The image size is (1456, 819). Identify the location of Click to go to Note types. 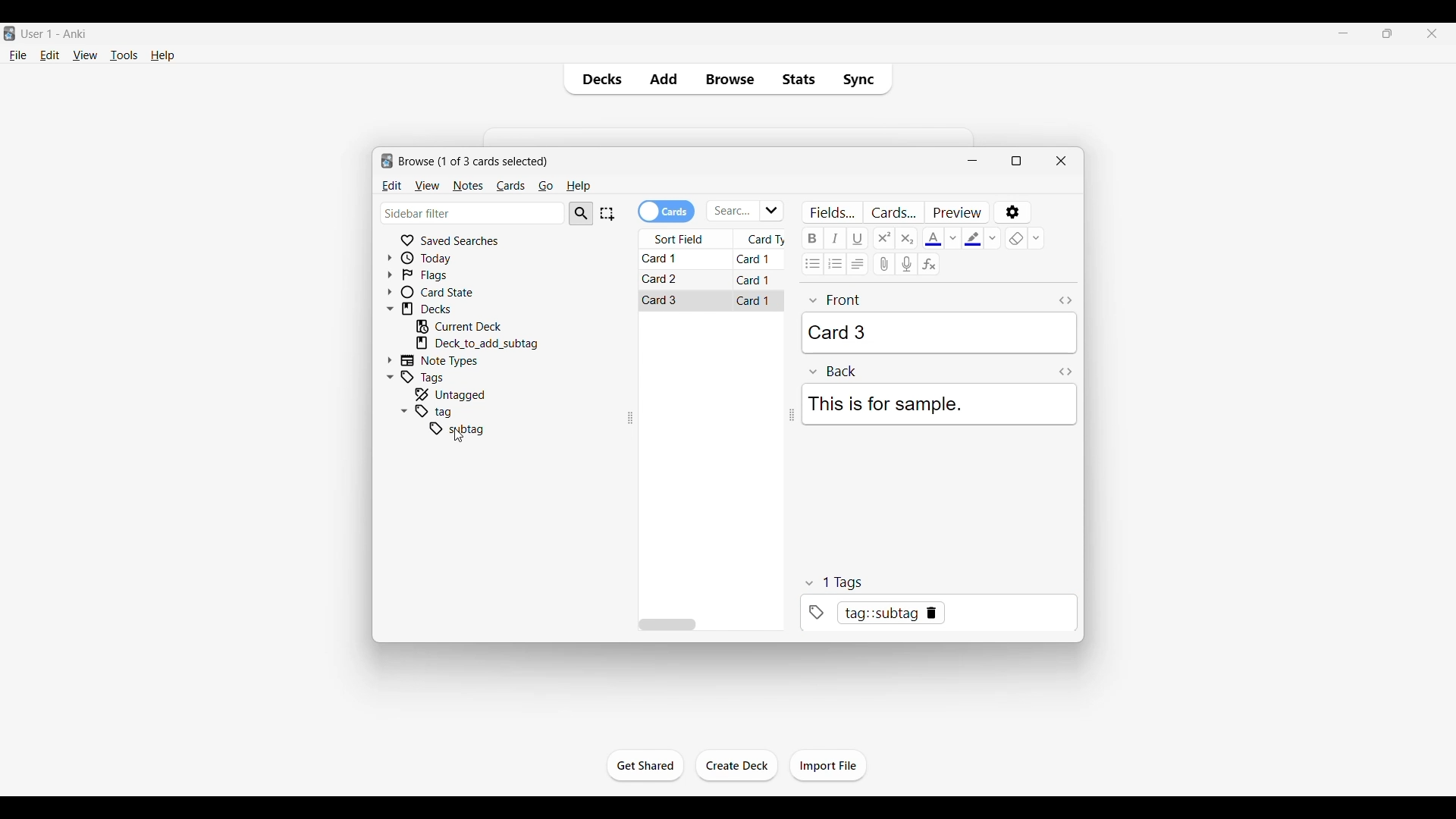
(447, 360).